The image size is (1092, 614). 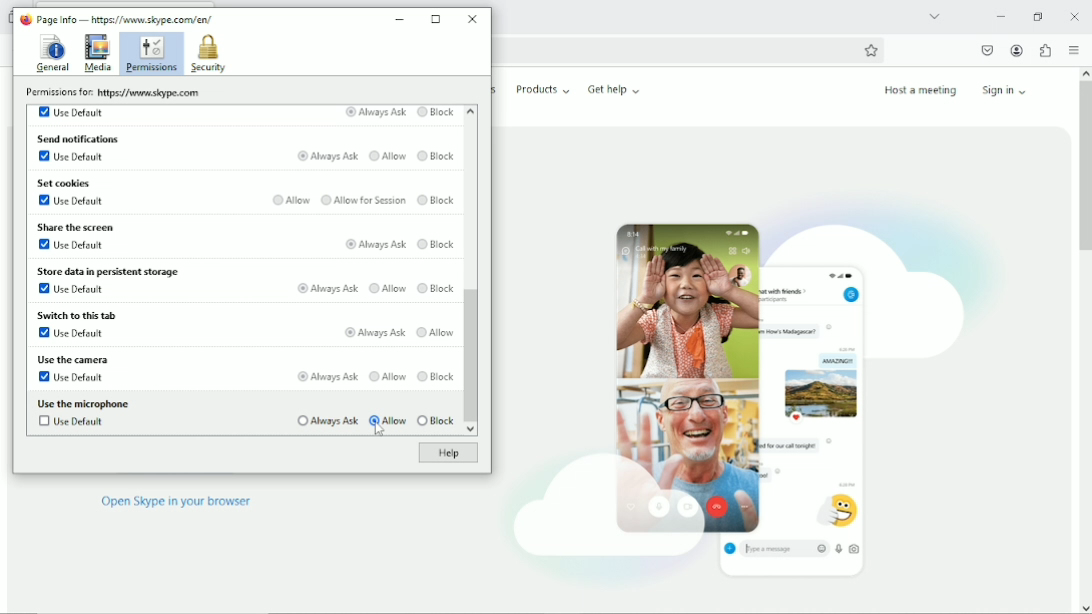 What do you see at coordinates (326, 287) in the screenshot?
I see `Always ask` at bounding box center [326, 287].